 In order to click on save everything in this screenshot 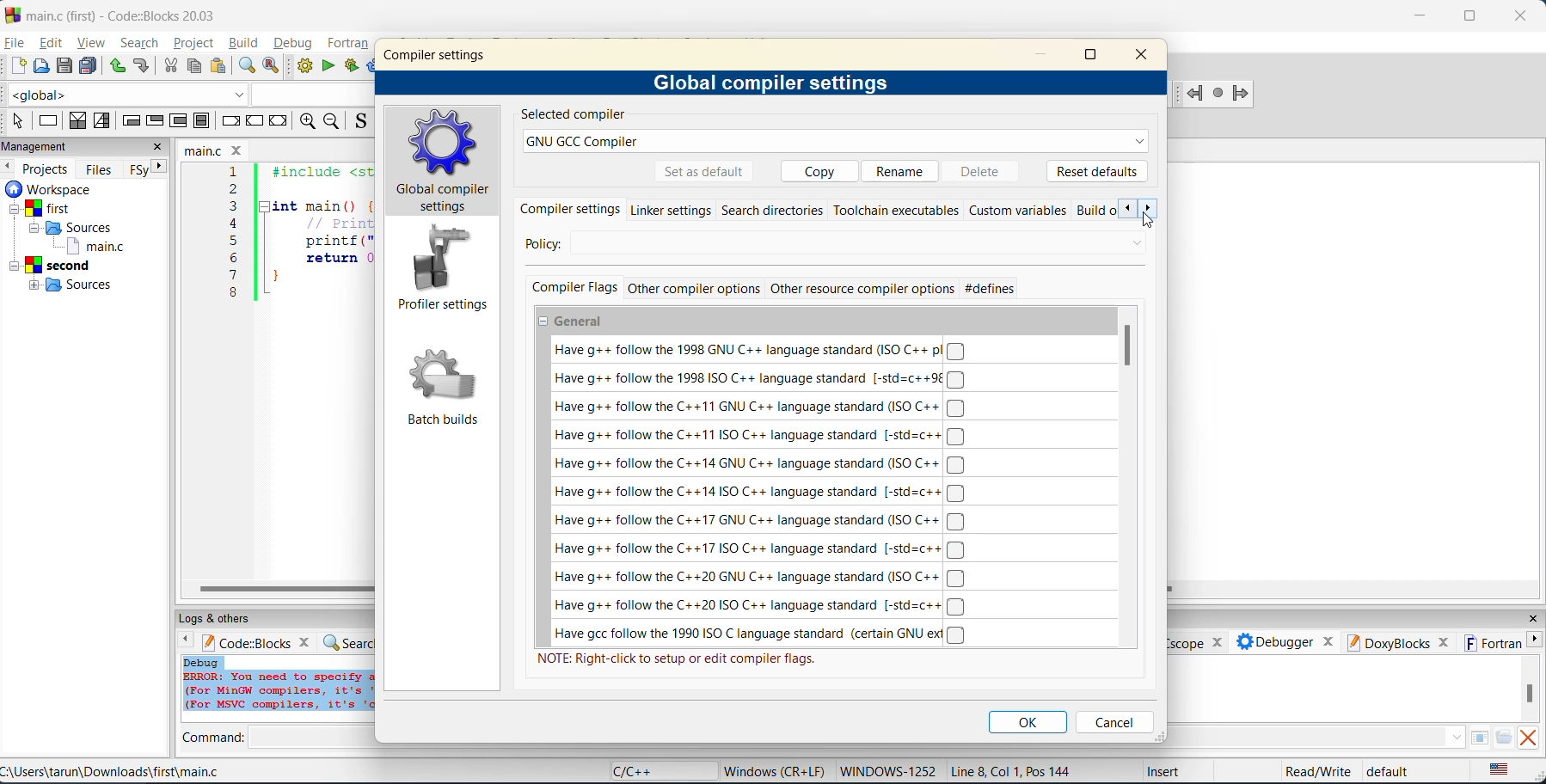, I will do `click(90, 66)`.